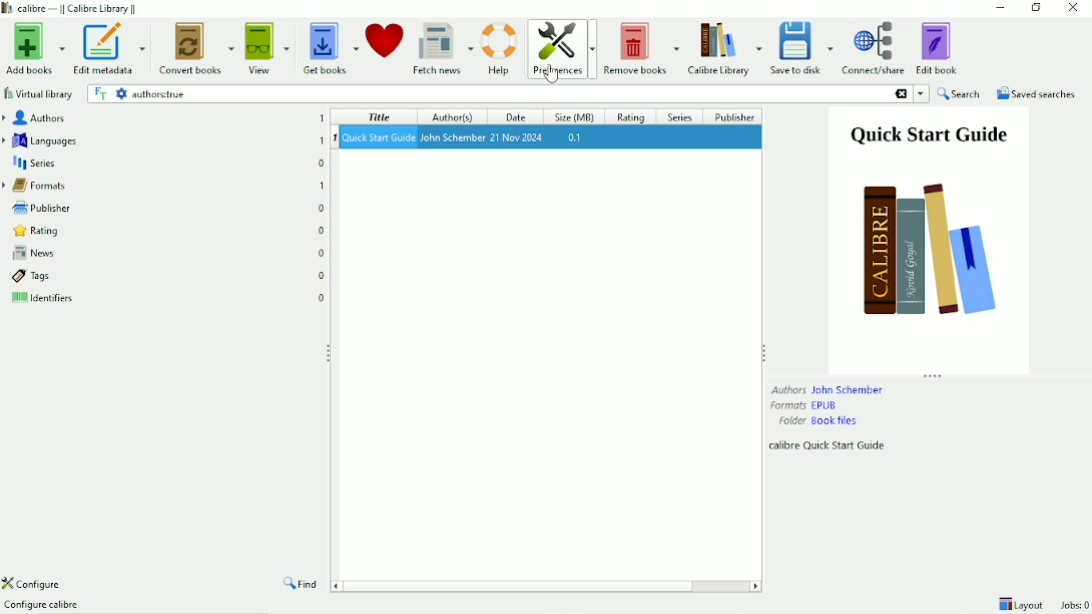  I want to click on Resize, so click(934, 378).